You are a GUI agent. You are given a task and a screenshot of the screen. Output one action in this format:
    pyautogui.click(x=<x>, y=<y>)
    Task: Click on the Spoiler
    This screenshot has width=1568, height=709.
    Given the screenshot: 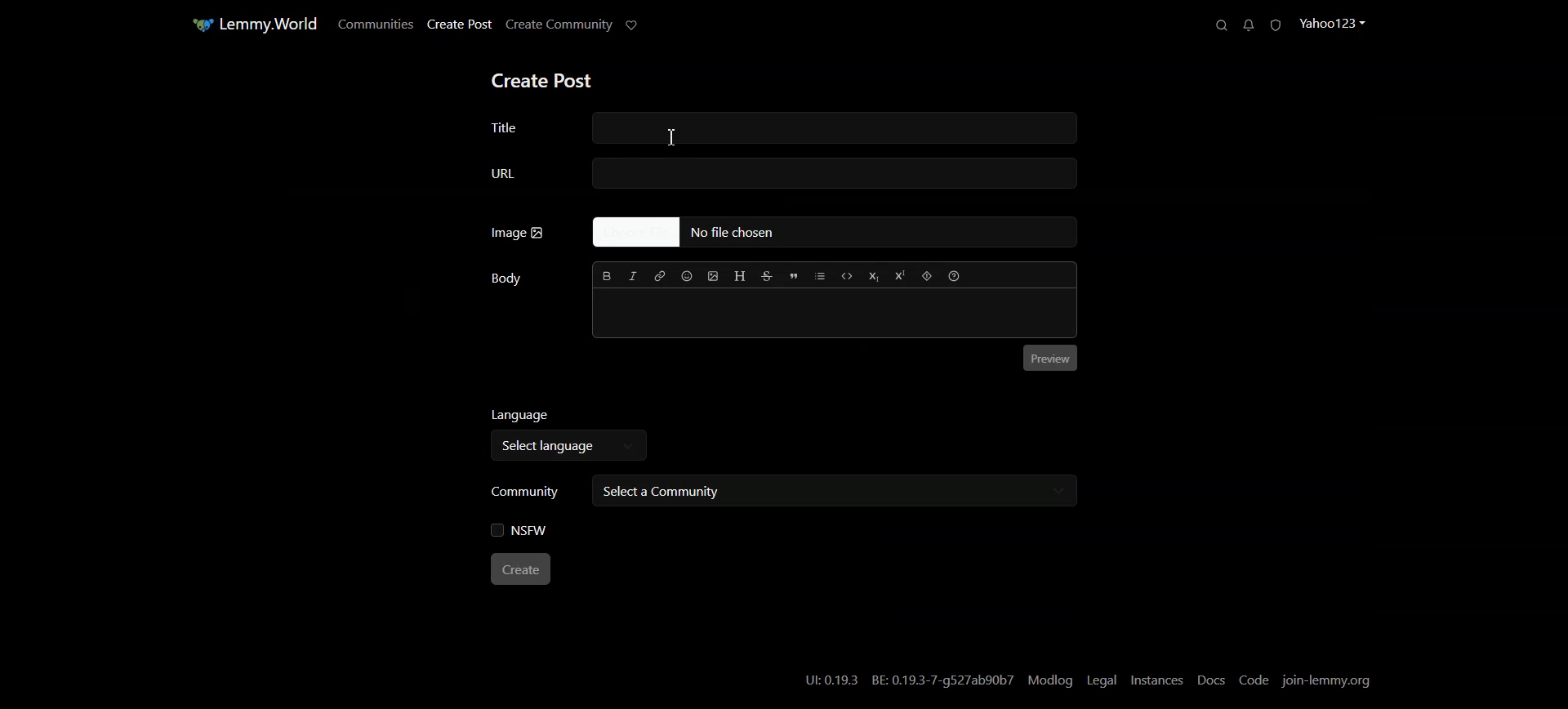 What is the action you would take?
    pyautogui.click(x=927, y=275)
    